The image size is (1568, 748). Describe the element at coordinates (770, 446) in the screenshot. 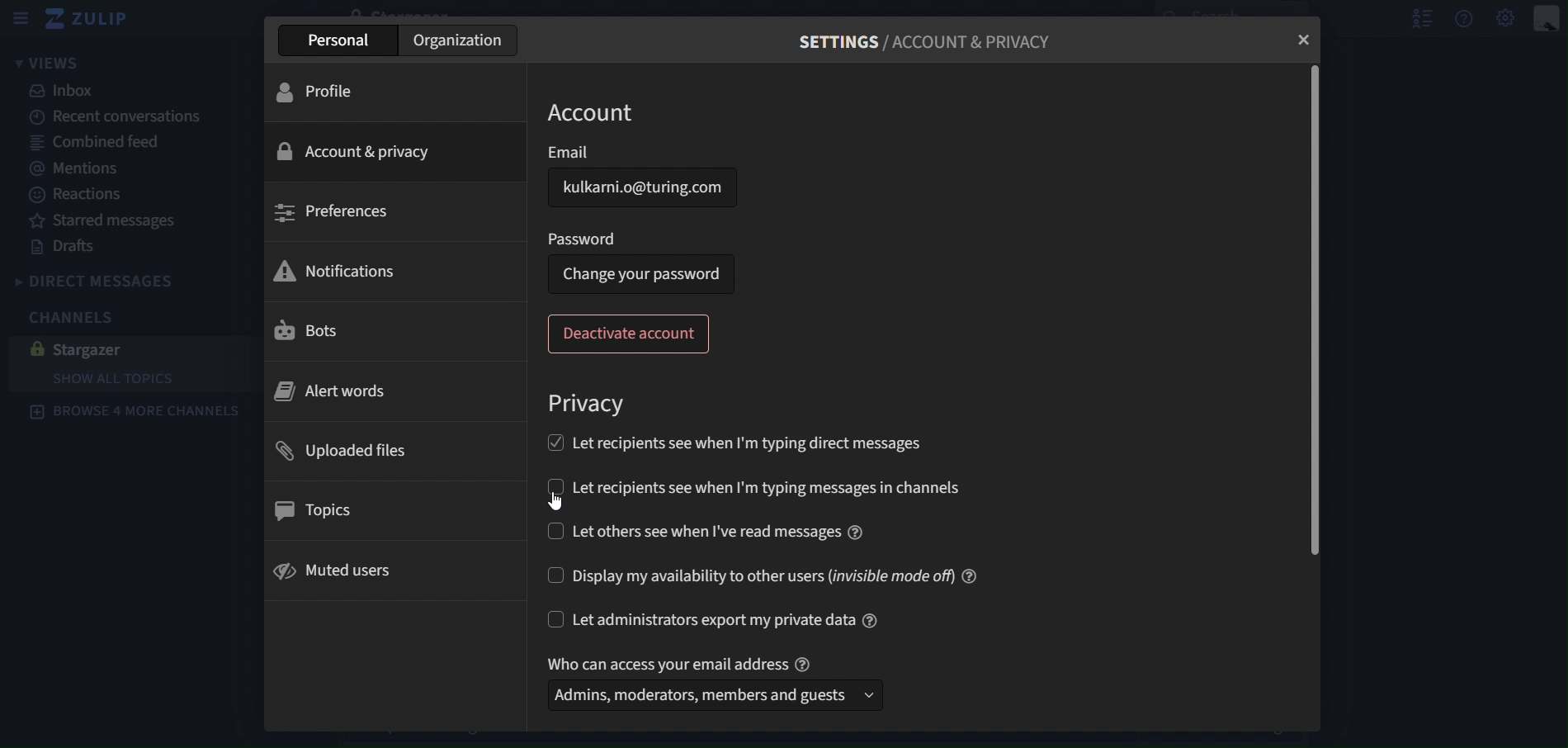

I see `let recipients see when Im typing direct messages` at that location.